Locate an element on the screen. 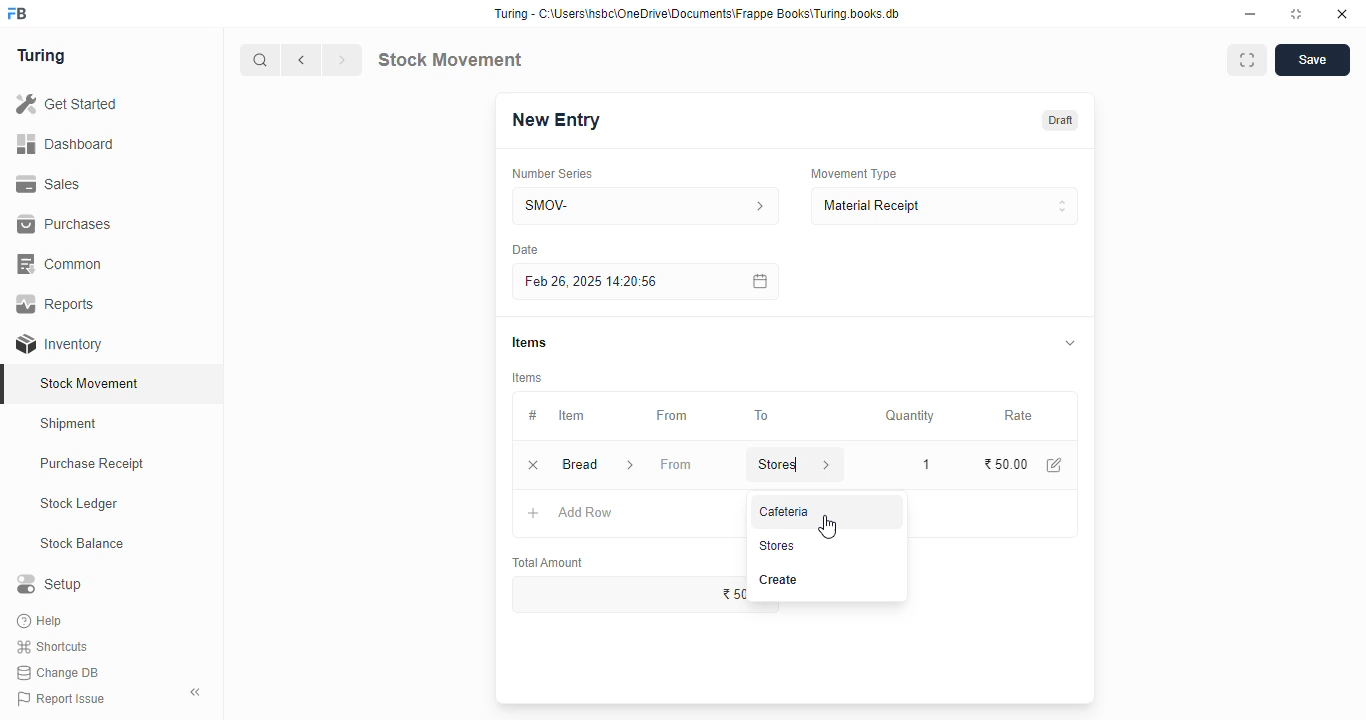 The height and width of the screenshot is (720, 1366). from is located at coordinates (676, 464).